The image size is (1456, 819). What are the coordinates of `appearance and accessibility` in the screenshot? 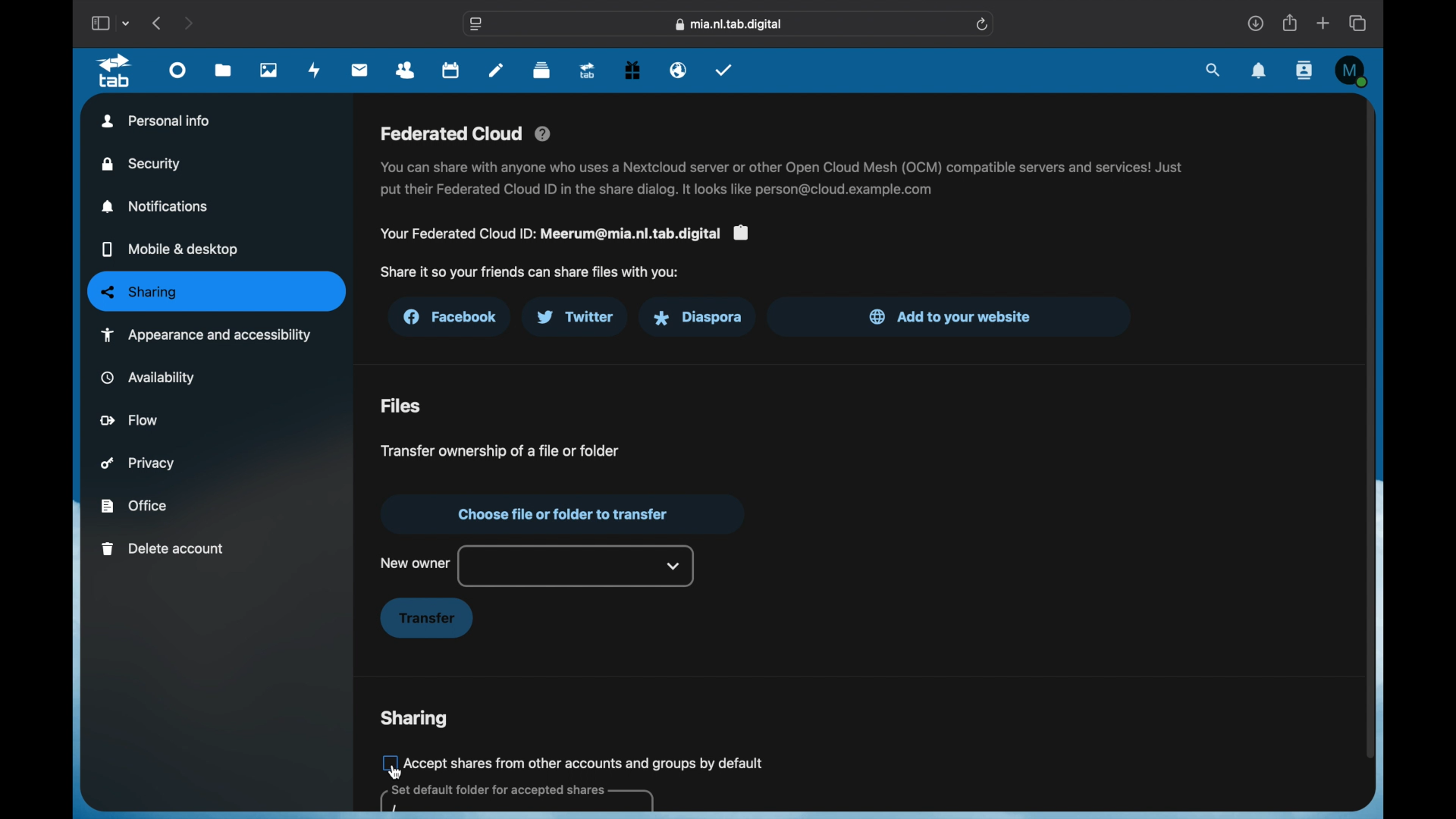 It's located at (206, 334).